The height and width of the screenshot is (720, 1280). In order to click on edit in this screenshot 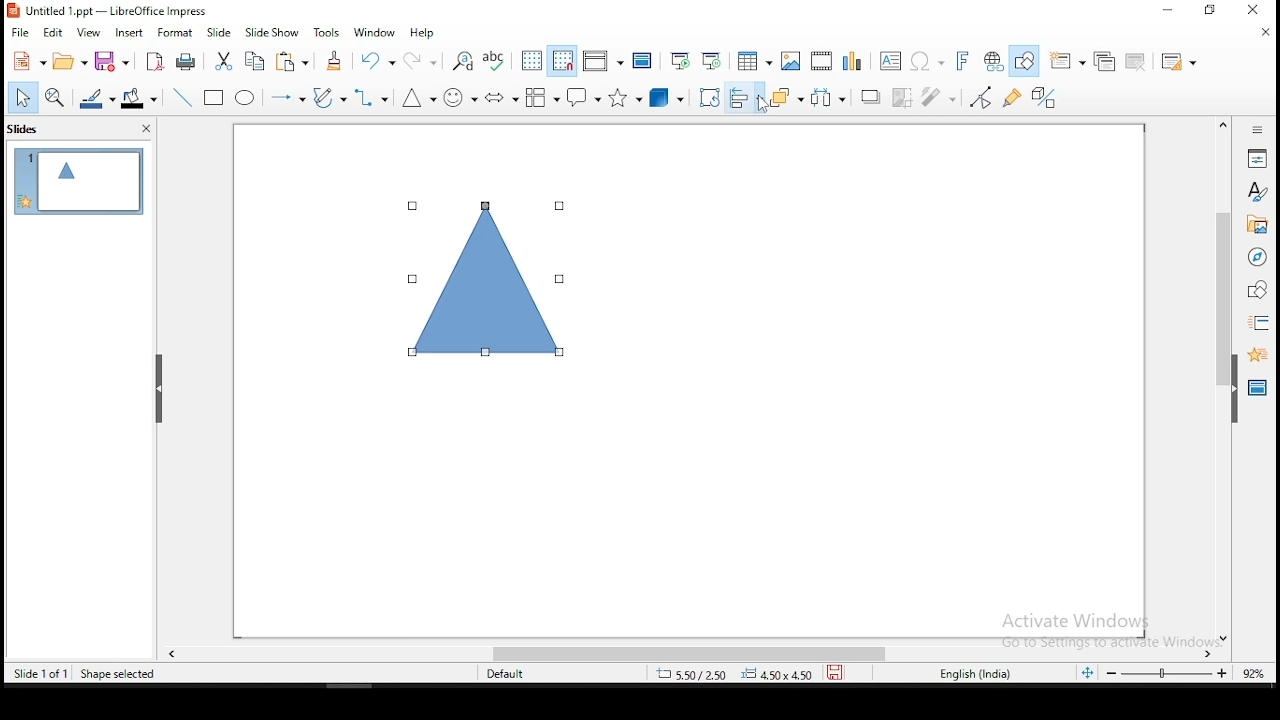, I will do `click(52, 33)`.